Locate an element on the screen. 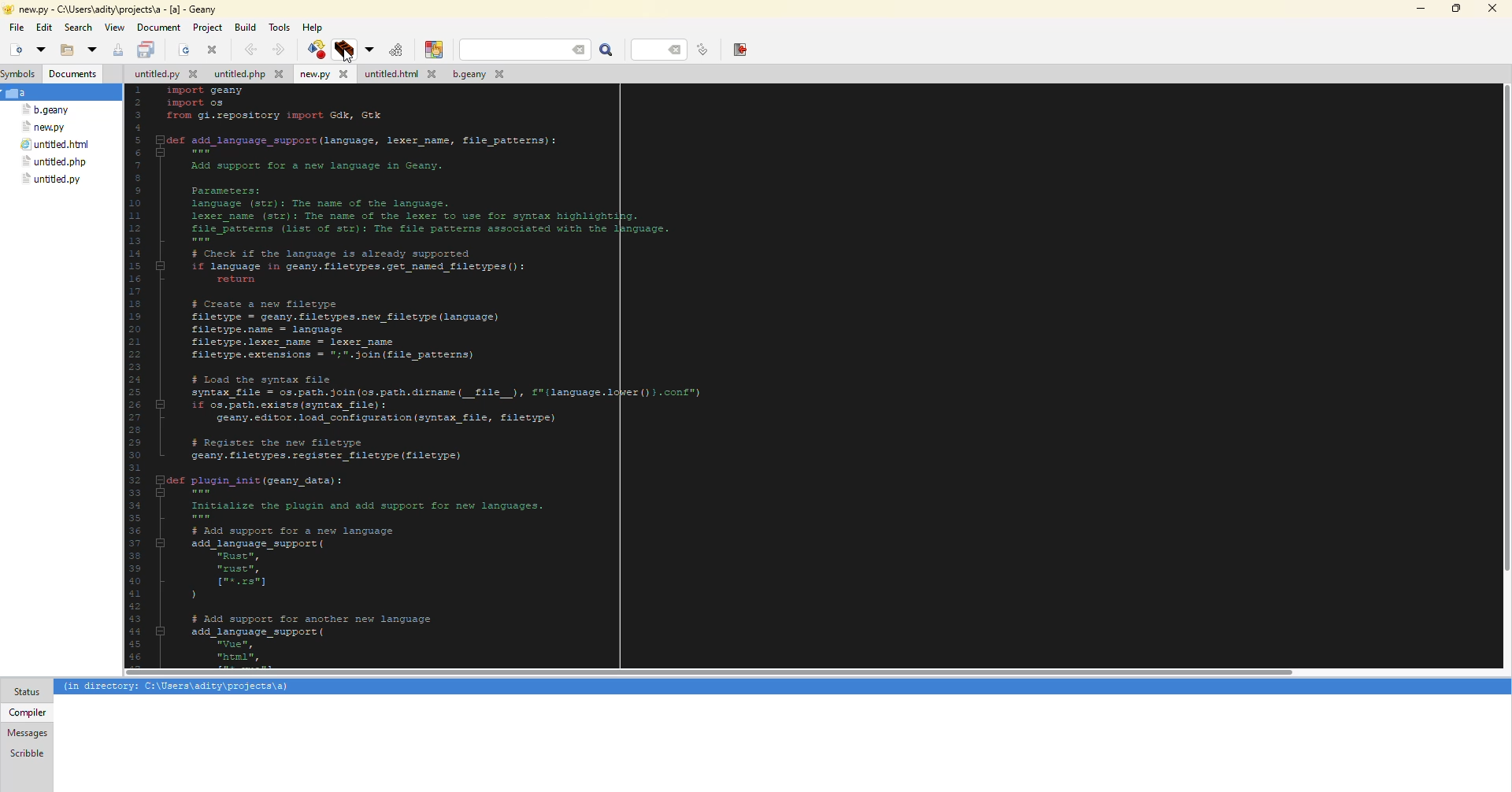 The image size is (1512, 792). file is located at coordinates (246, 75).